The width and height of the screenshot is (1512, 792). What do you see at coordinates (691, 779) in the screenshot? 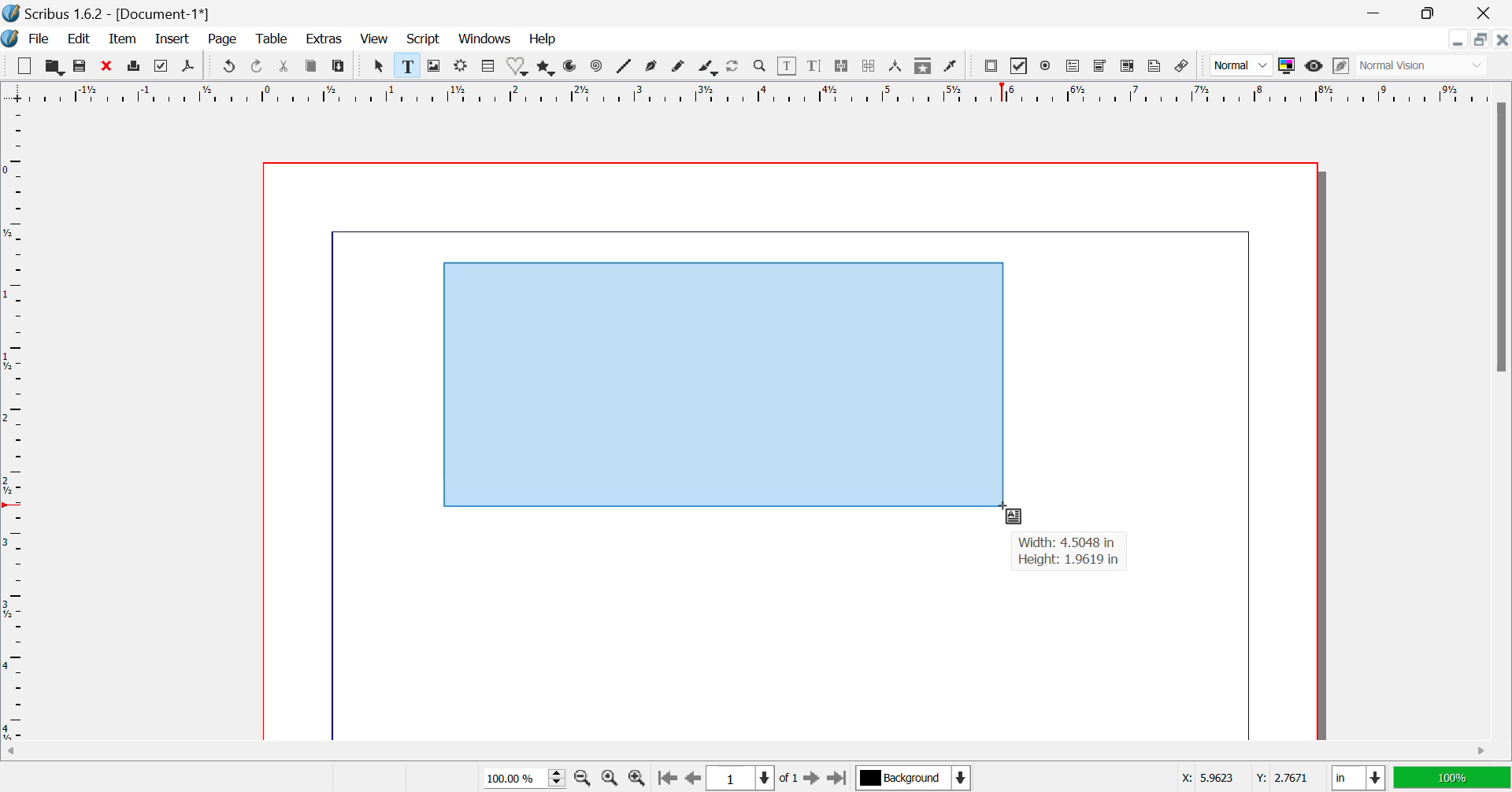
I see `Previous Page` at bounding box center [691, 779].